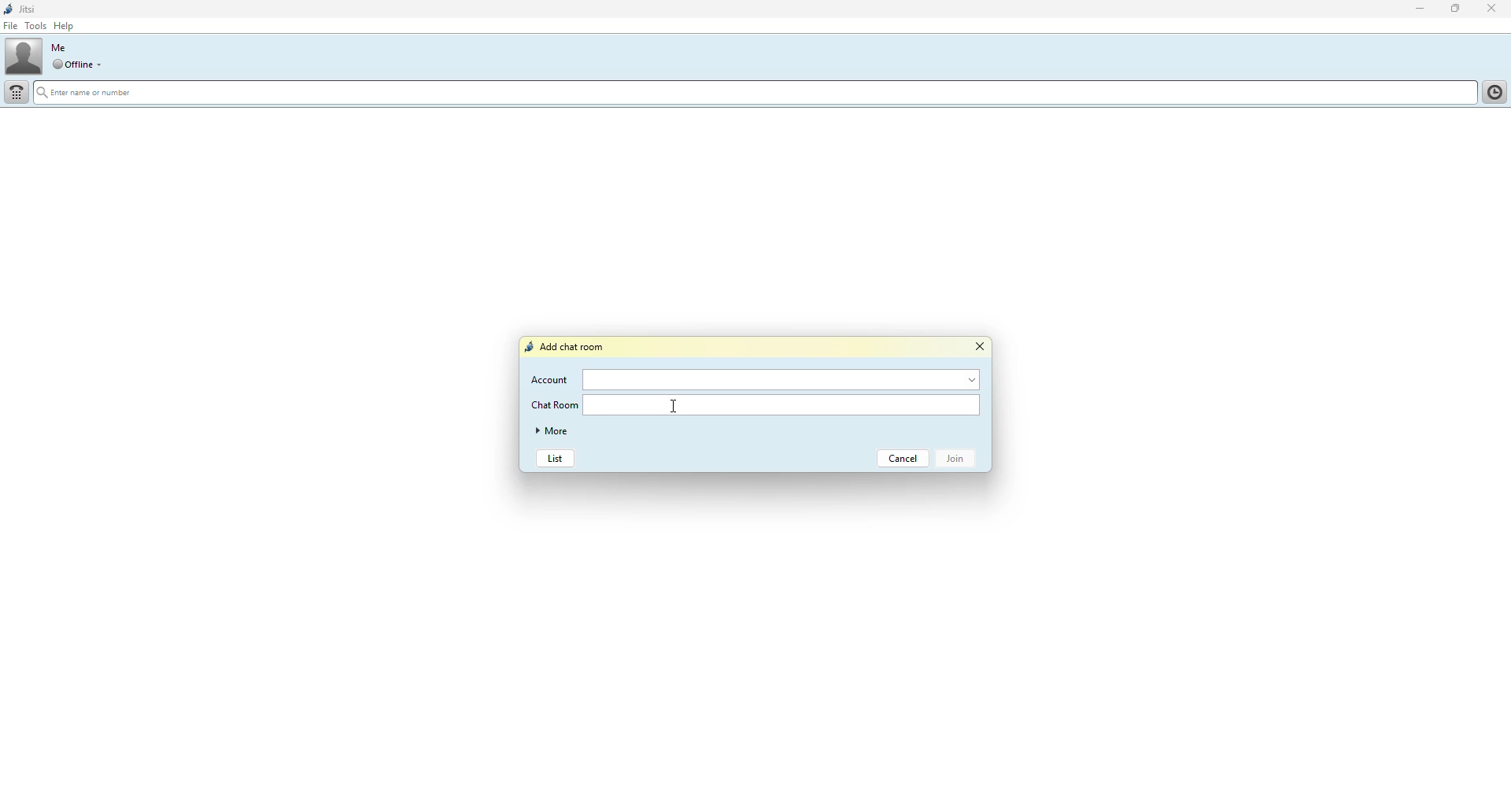  Describe the element at coordinates (102, 65) in the screenshot. I see `drop down` at that location.